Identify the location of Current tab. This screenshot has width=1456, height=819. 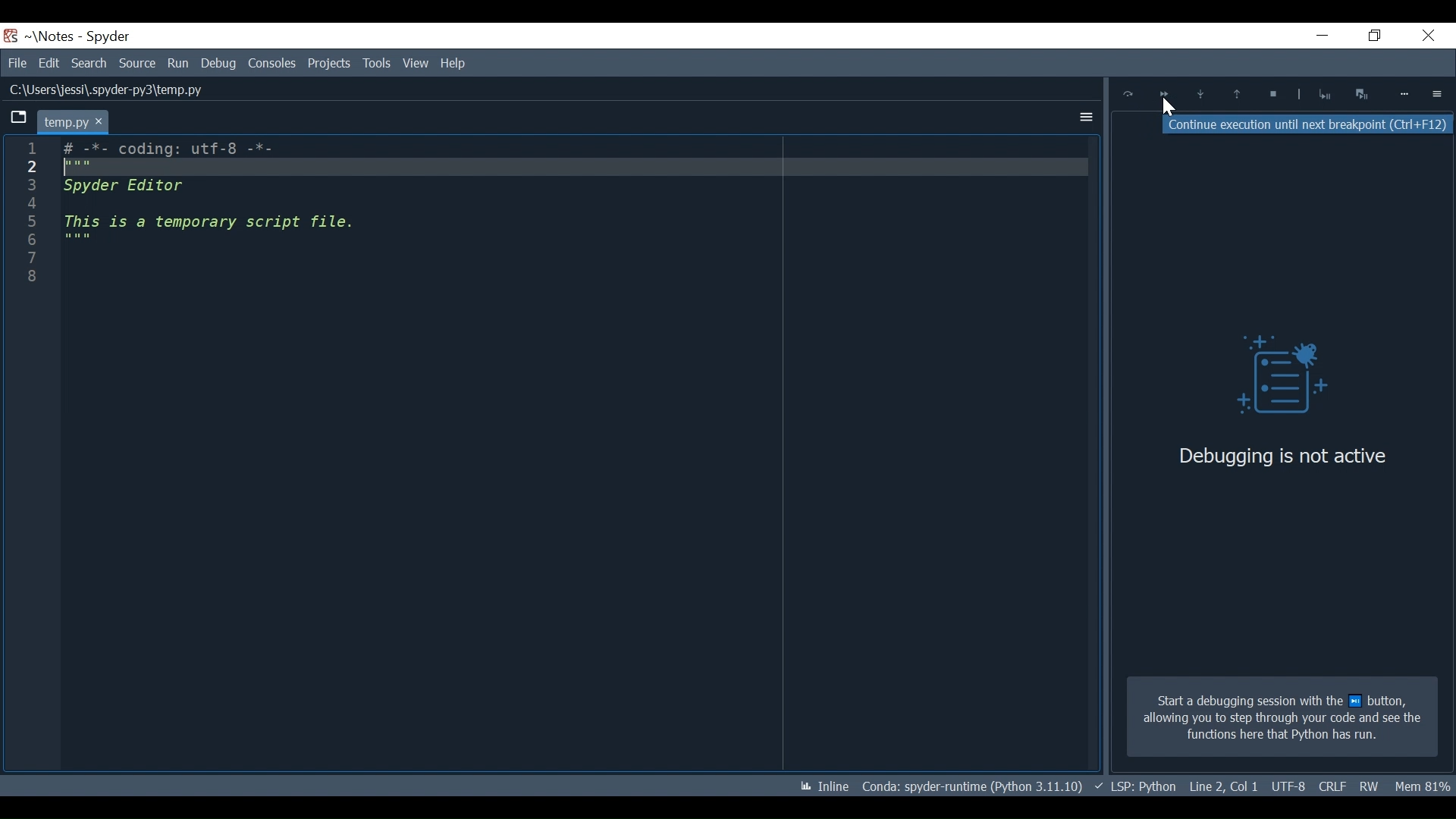
(72, 121).